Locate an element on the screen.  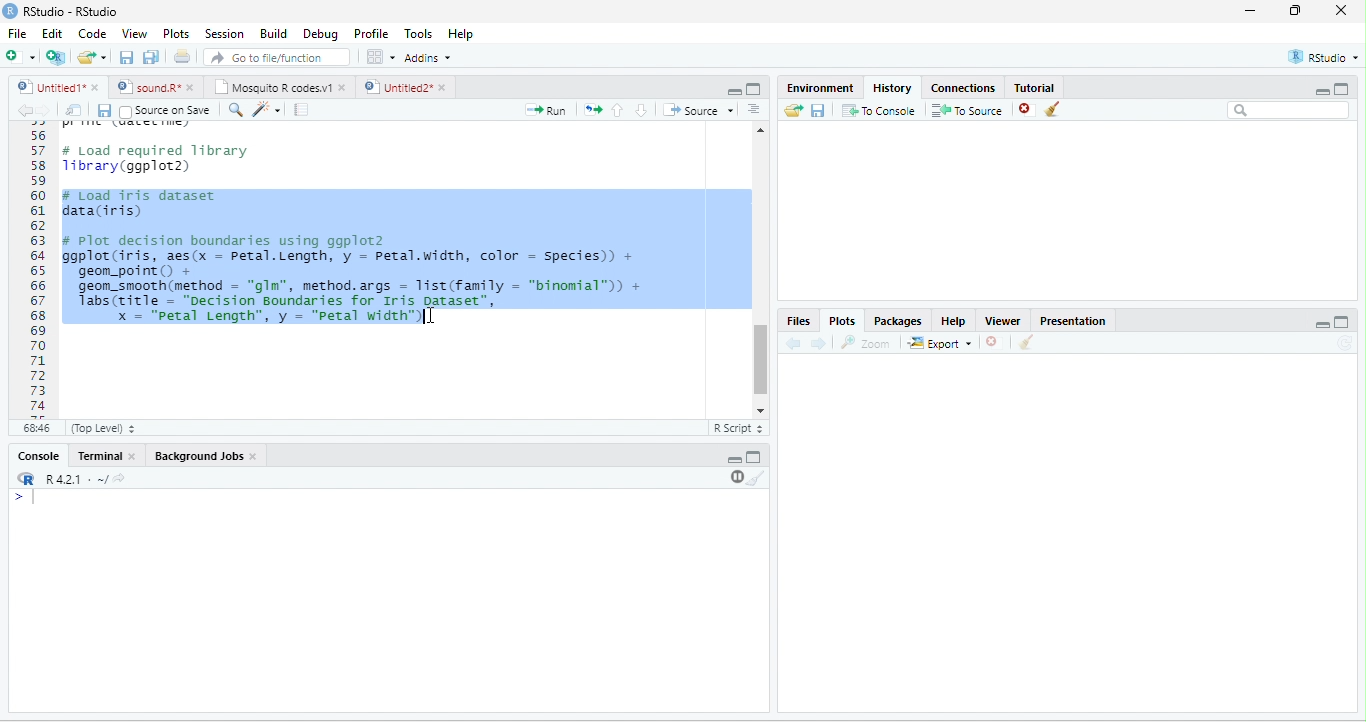
Console is located at coordinates (38, 455).